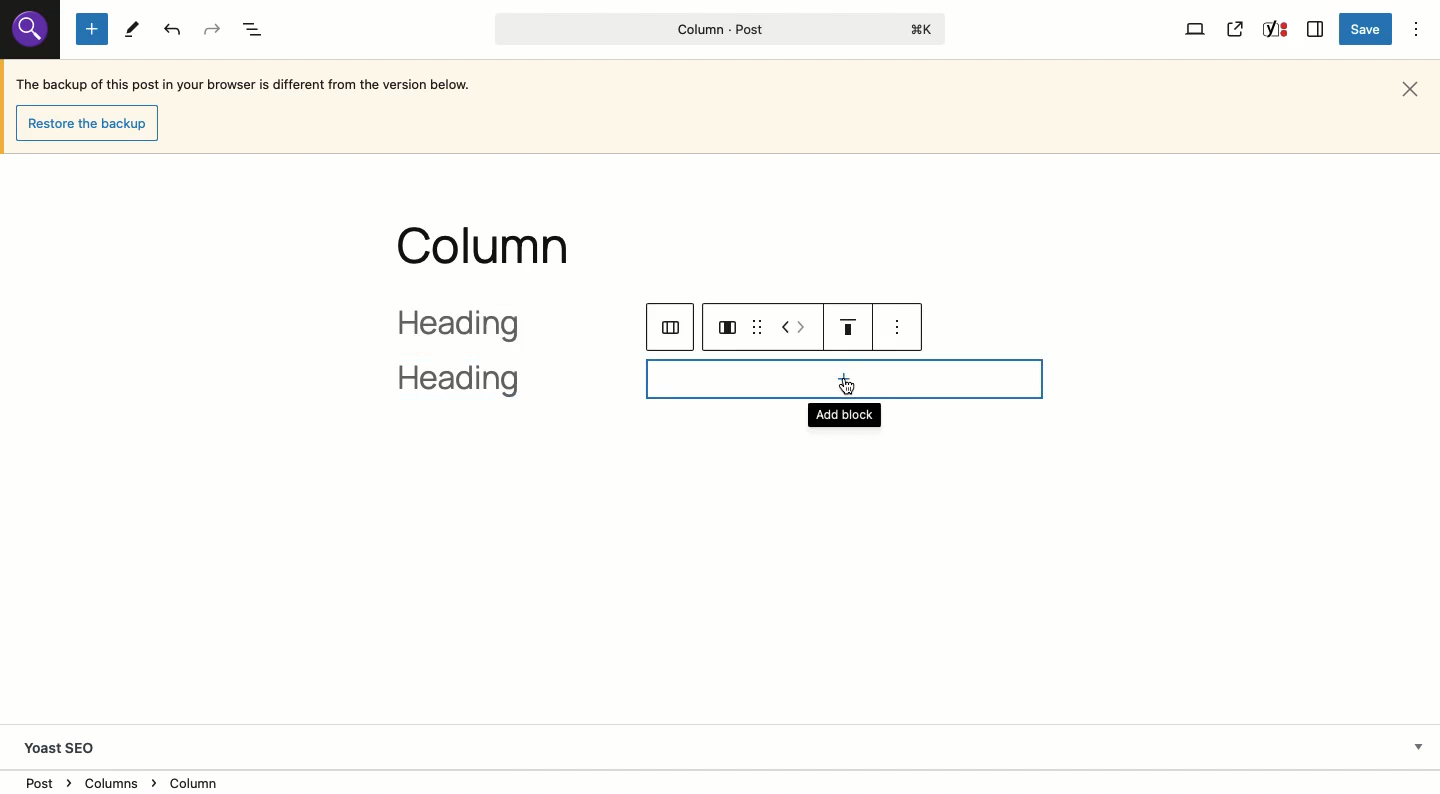 The width and height of the screenshot is (1440, 794). I want to click on drag, so click(755, 330).